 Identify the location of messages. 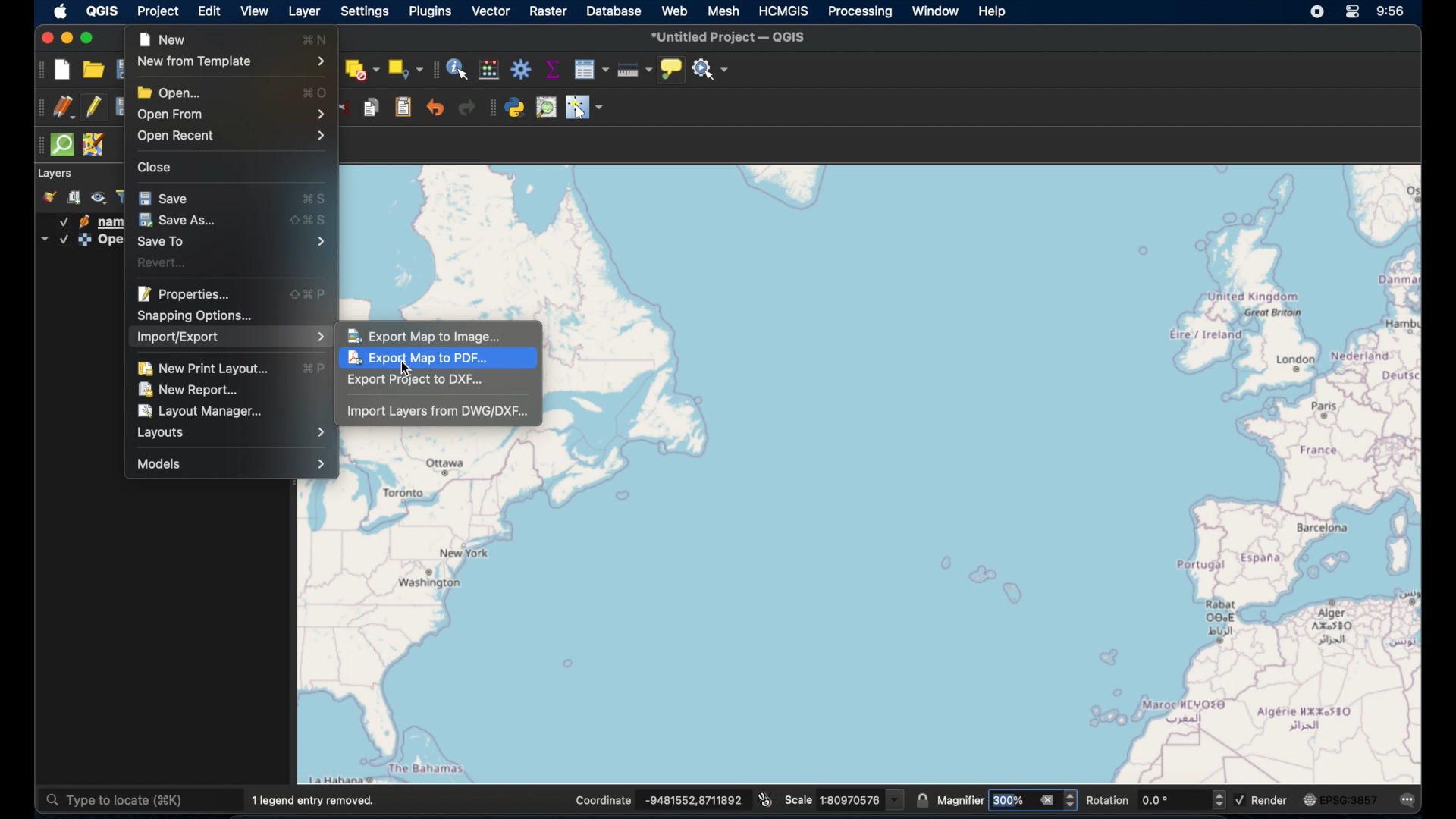
(1410, 801).